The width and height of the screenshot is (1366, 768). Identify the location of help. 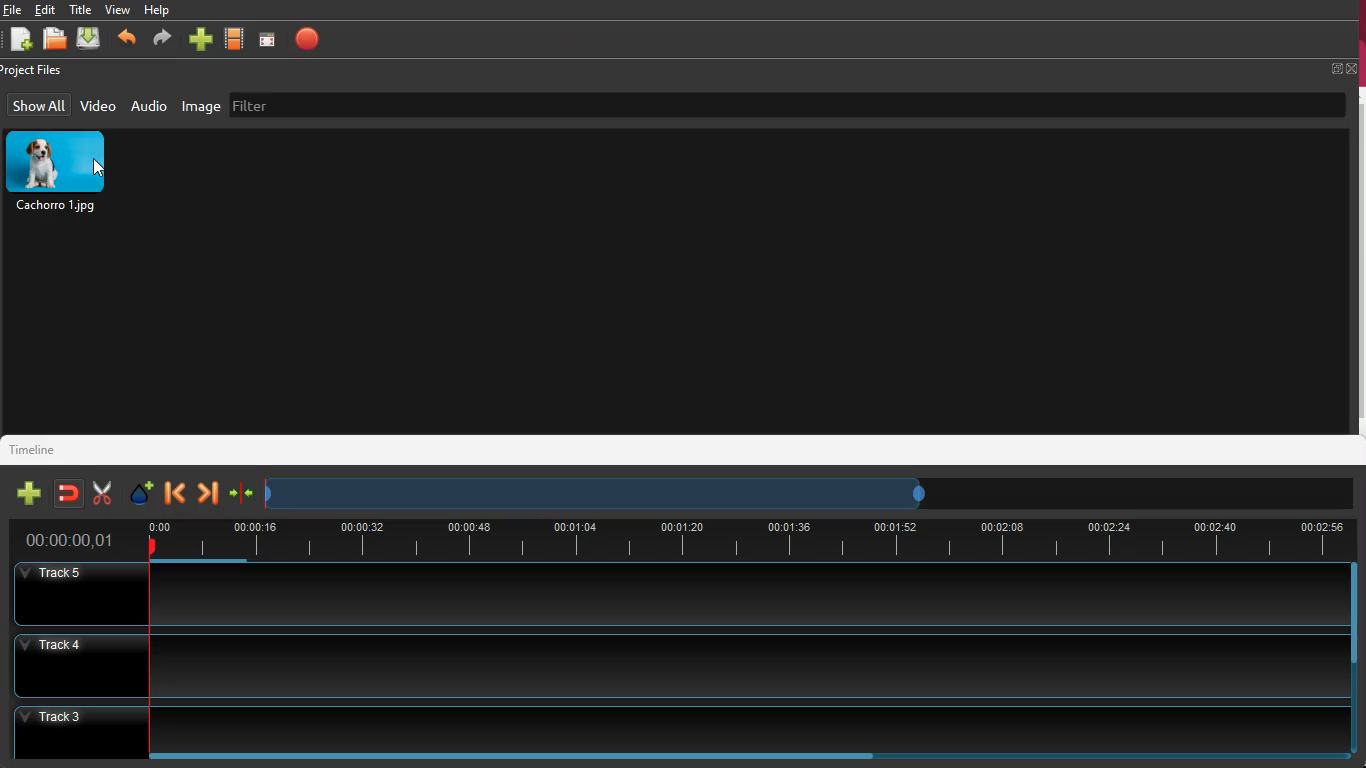
(161, 10).